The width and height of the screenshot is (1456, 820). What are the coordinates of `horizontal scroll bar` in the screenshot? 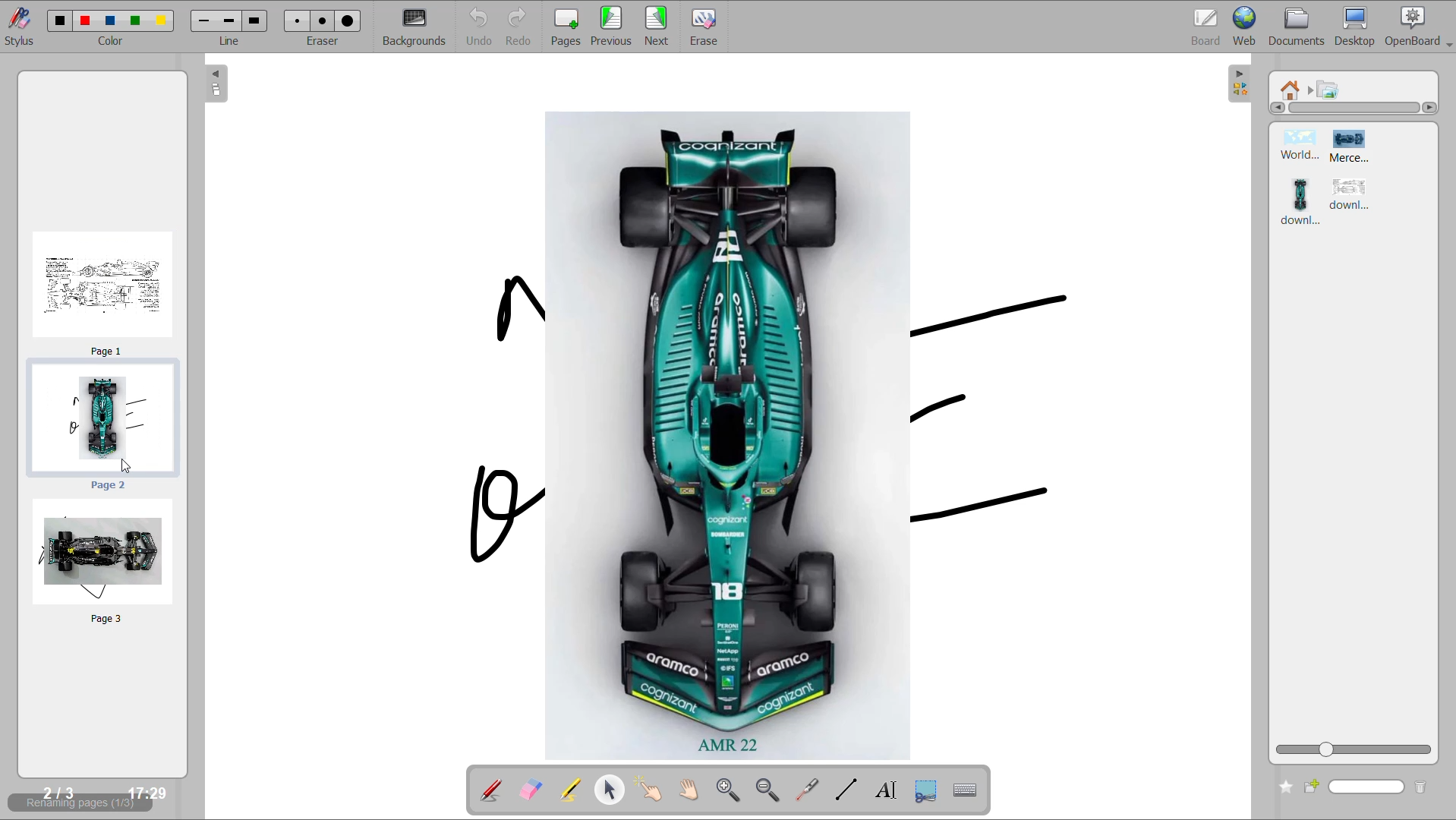 It's located at (1360, 109).